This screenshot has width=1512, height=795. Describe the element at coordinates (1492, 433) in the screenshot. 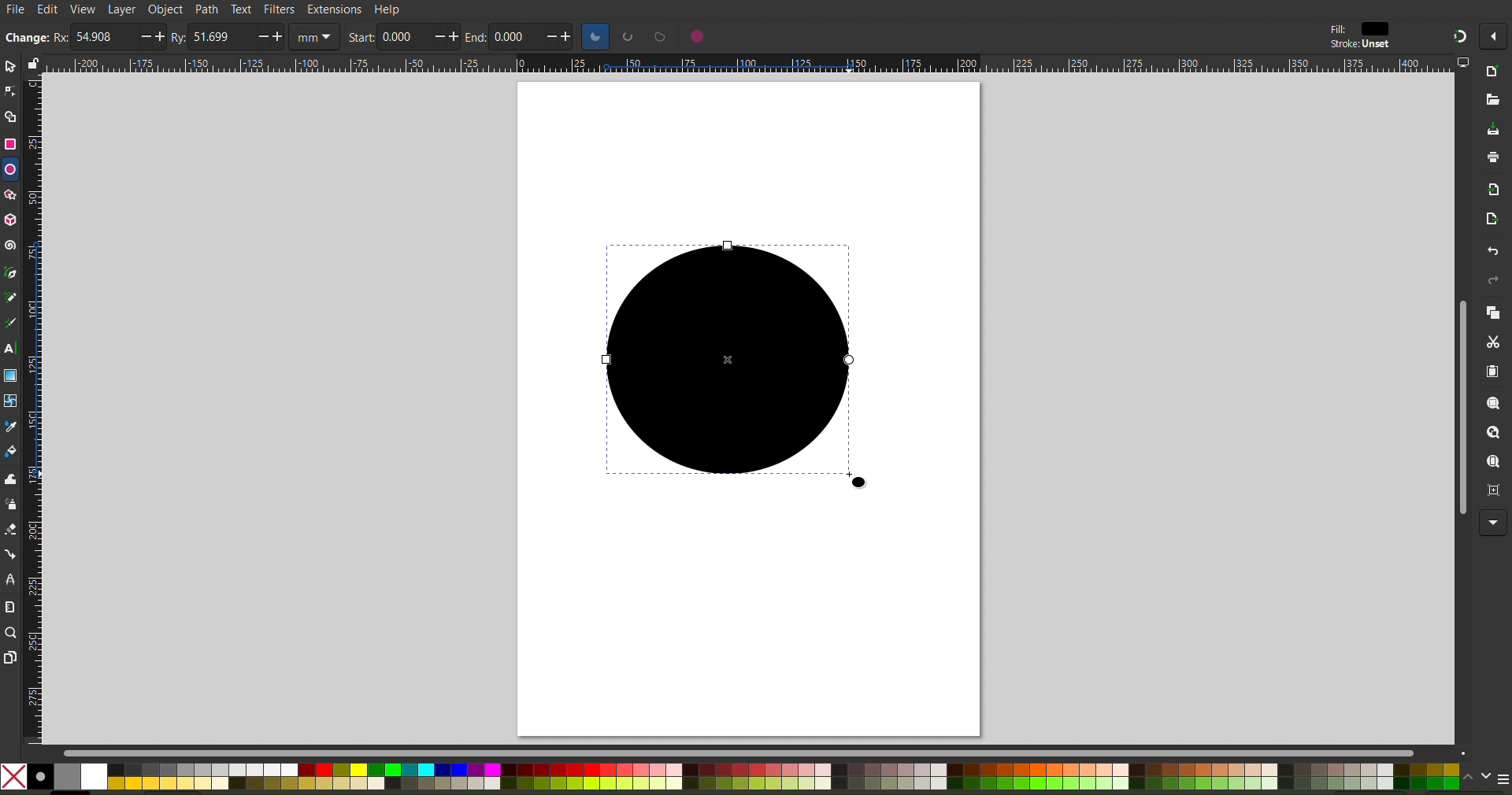

I see `Zoom Drawing` at that location.